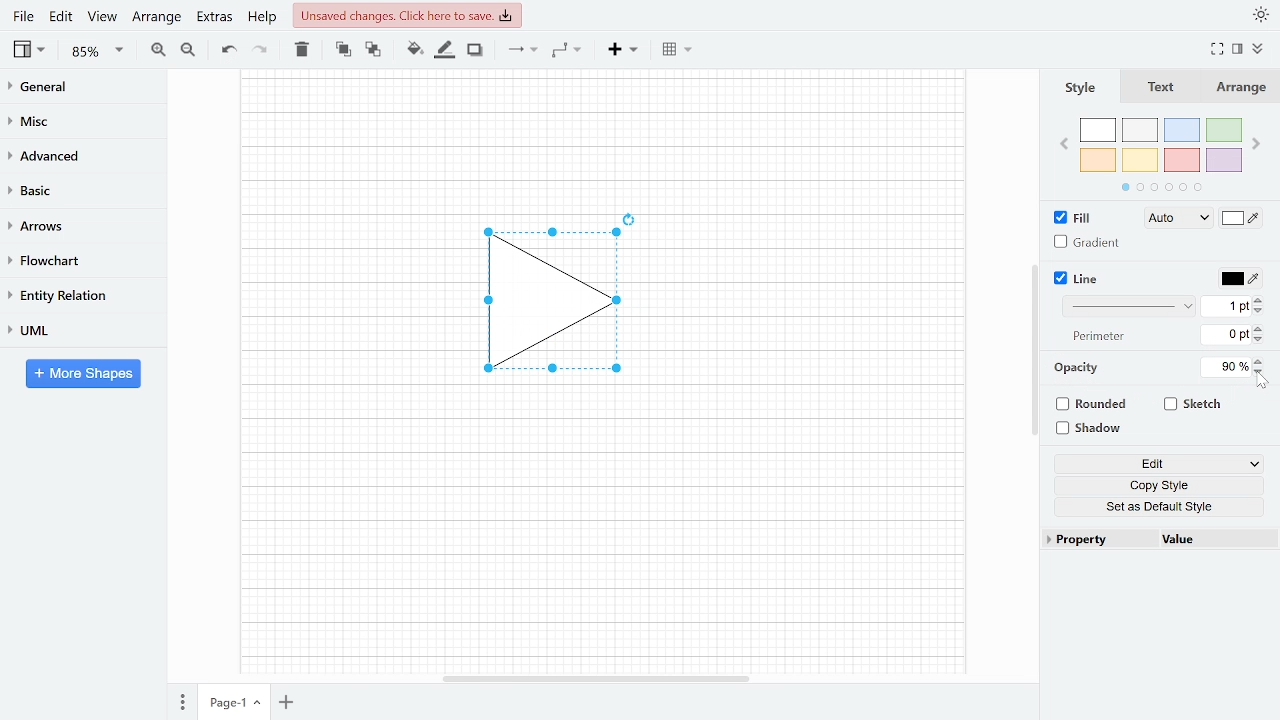  Describe the element at coordinates (601, 535) in the screenshot. I see `workspace` at that location.